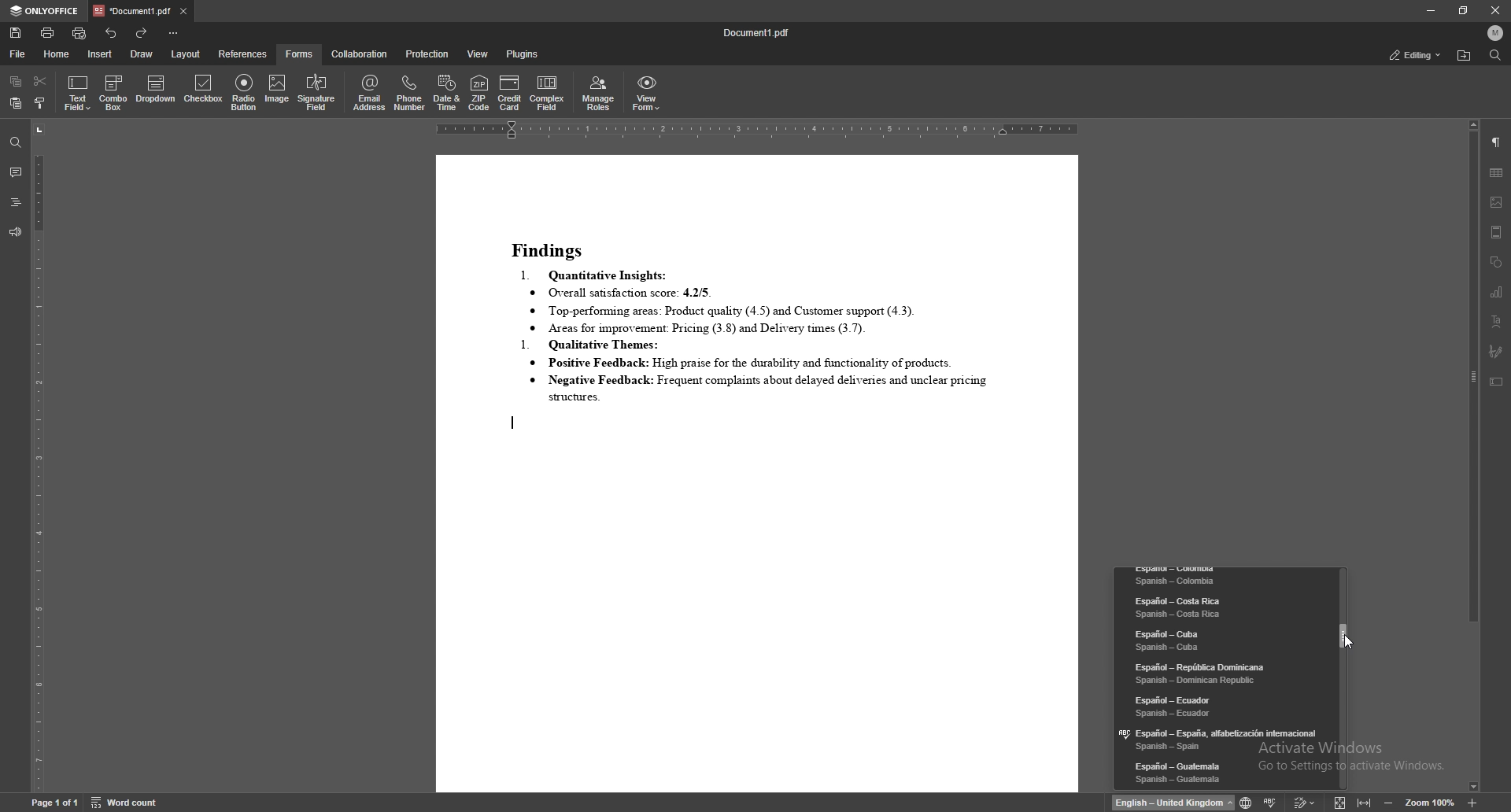 The height and width of the screenshot is (812, 1511). What do you see at coordinates (174, 34) in the screenshot?
I see `customize toolbar` at bounding box center [174, 34].